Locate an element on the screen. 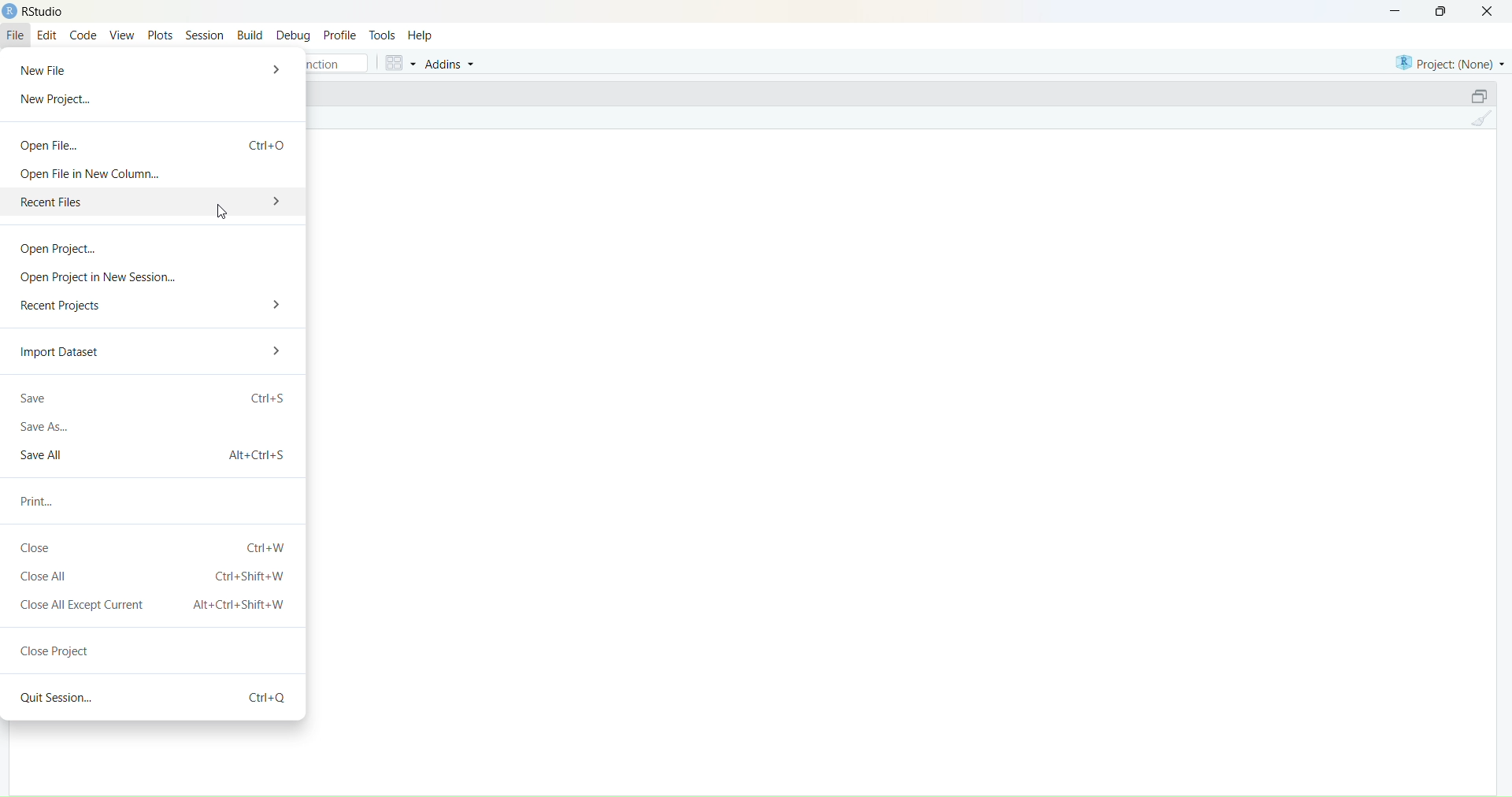 Image resolution: width=1512 pixels, height=797 pixels. File is located at coordinates (17, 34).